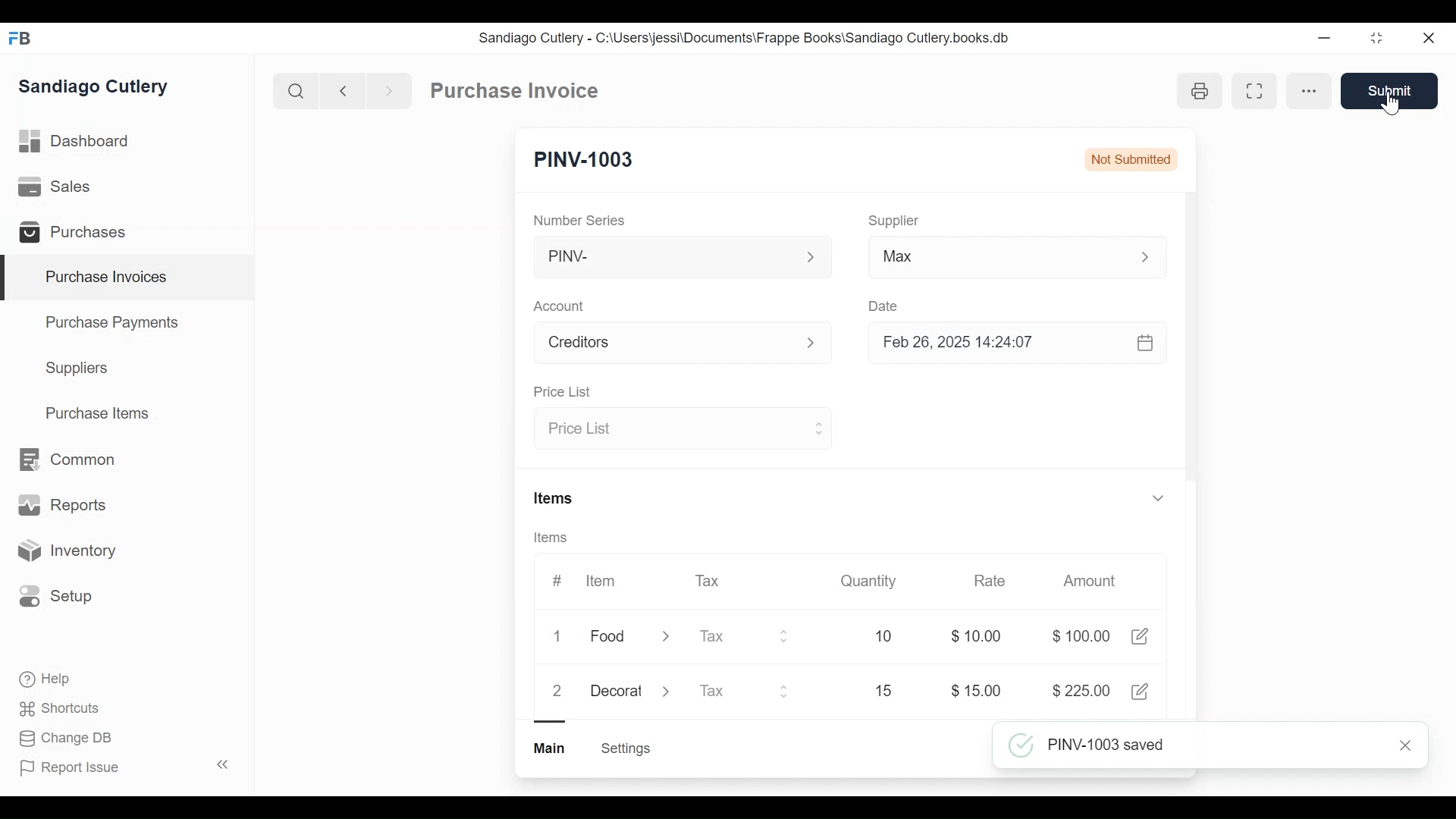  What do you see at coordinates (817, 427) in the screenshot?
I see `Expand` at bounding box center [817, 427].